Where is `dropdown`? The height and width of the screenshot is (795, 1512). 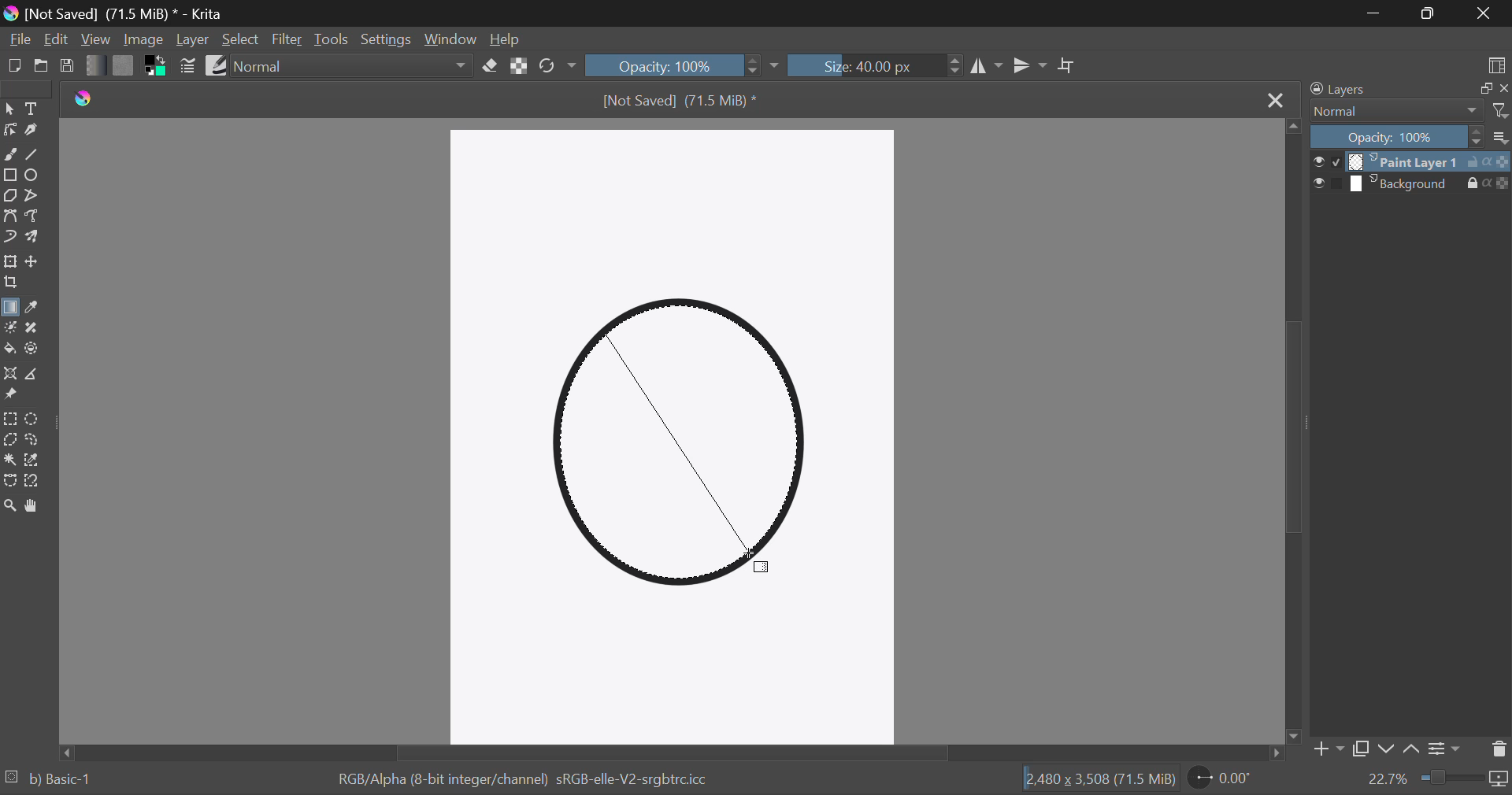
dropdown is located at coordinates (776, 67).